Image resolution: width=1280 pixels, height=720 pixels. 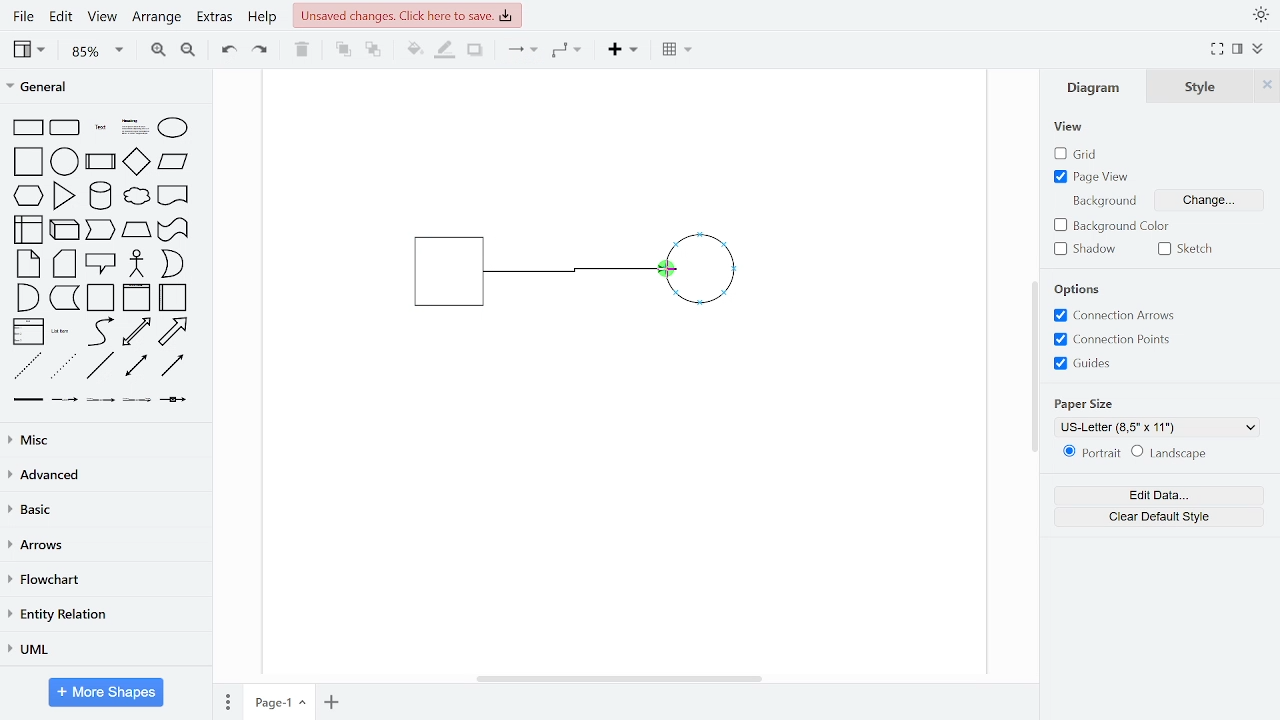 I want to click on paper size, so click(x=1086, y=402).